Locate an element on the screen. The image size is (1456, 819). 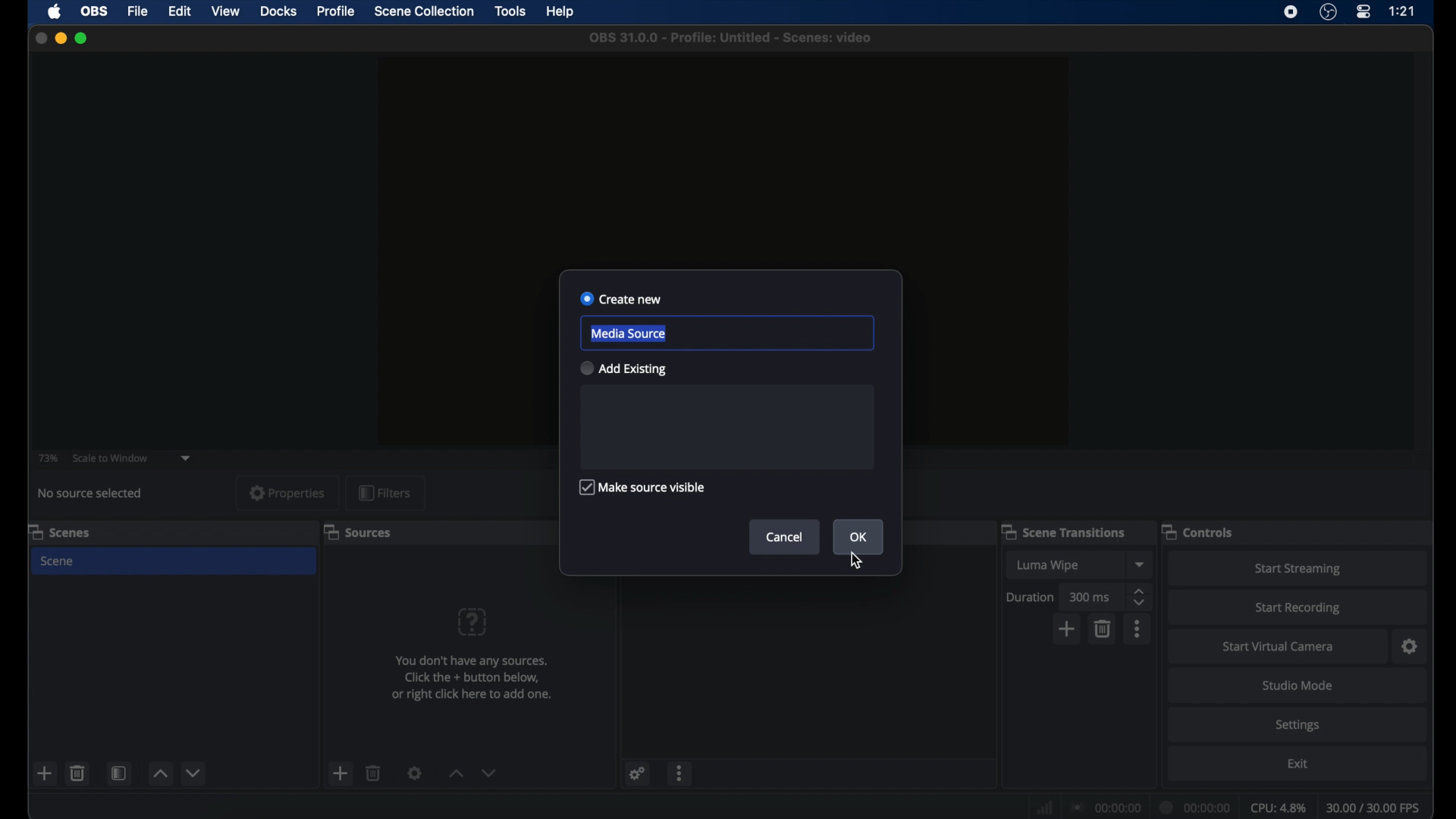
screen recorder icon is located at coordinates (1291, 12).